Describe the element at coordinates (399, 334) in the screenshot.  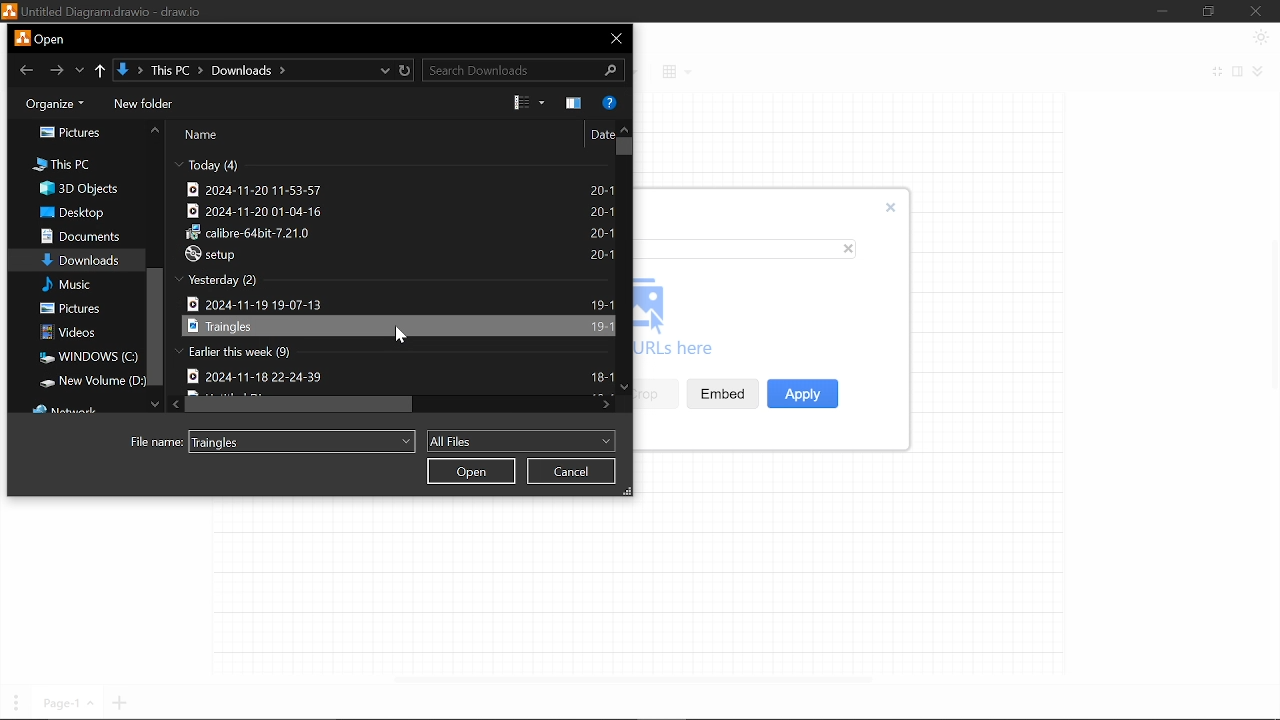
I see `cursor` at that location.